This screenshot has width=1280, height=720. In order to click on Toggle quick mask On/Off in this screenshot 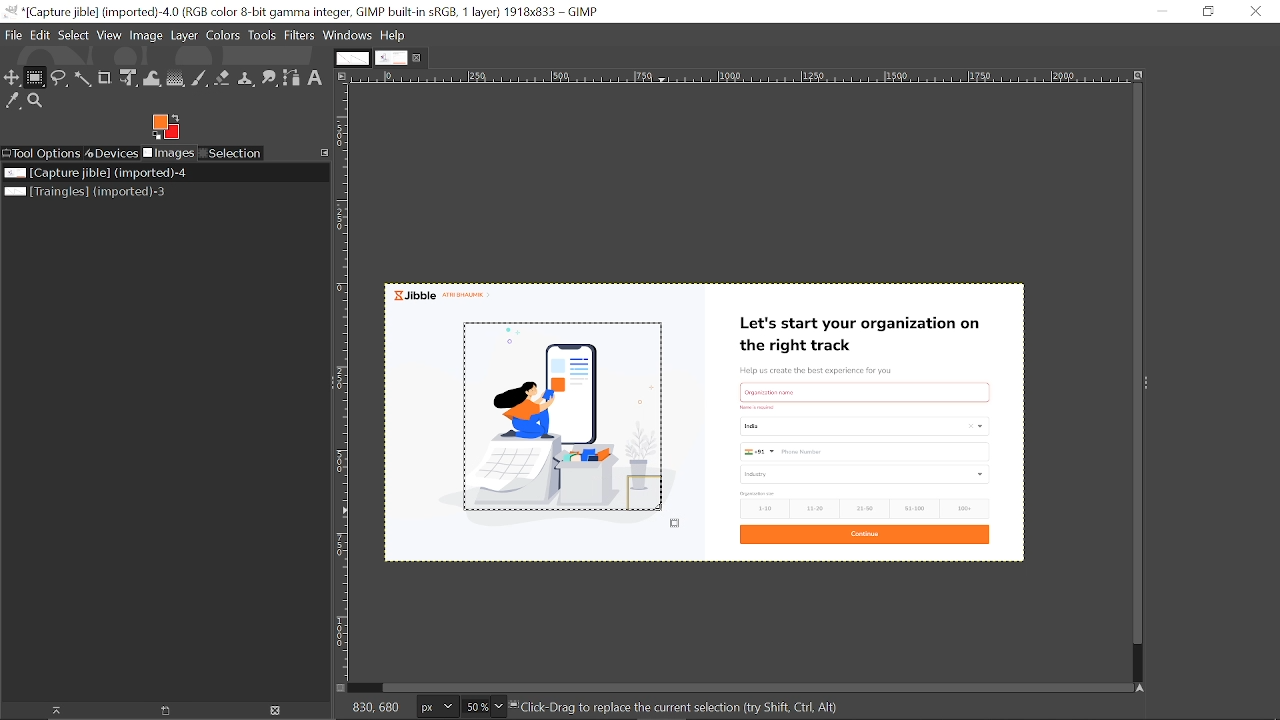, I will do `click(341, 688)`.